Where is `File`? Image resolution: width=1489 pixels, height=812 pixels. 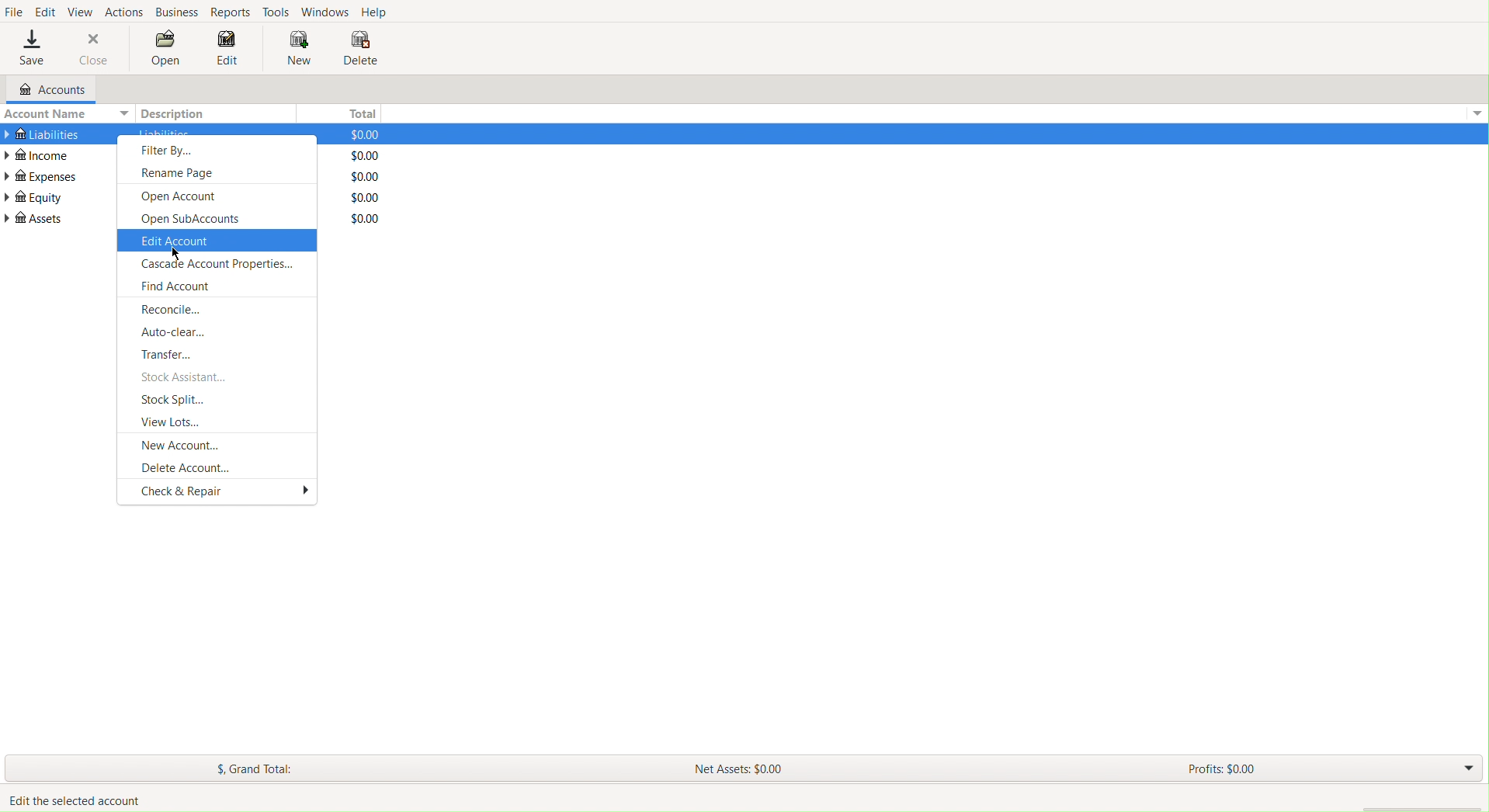 File is located at coordinates (14, 12).